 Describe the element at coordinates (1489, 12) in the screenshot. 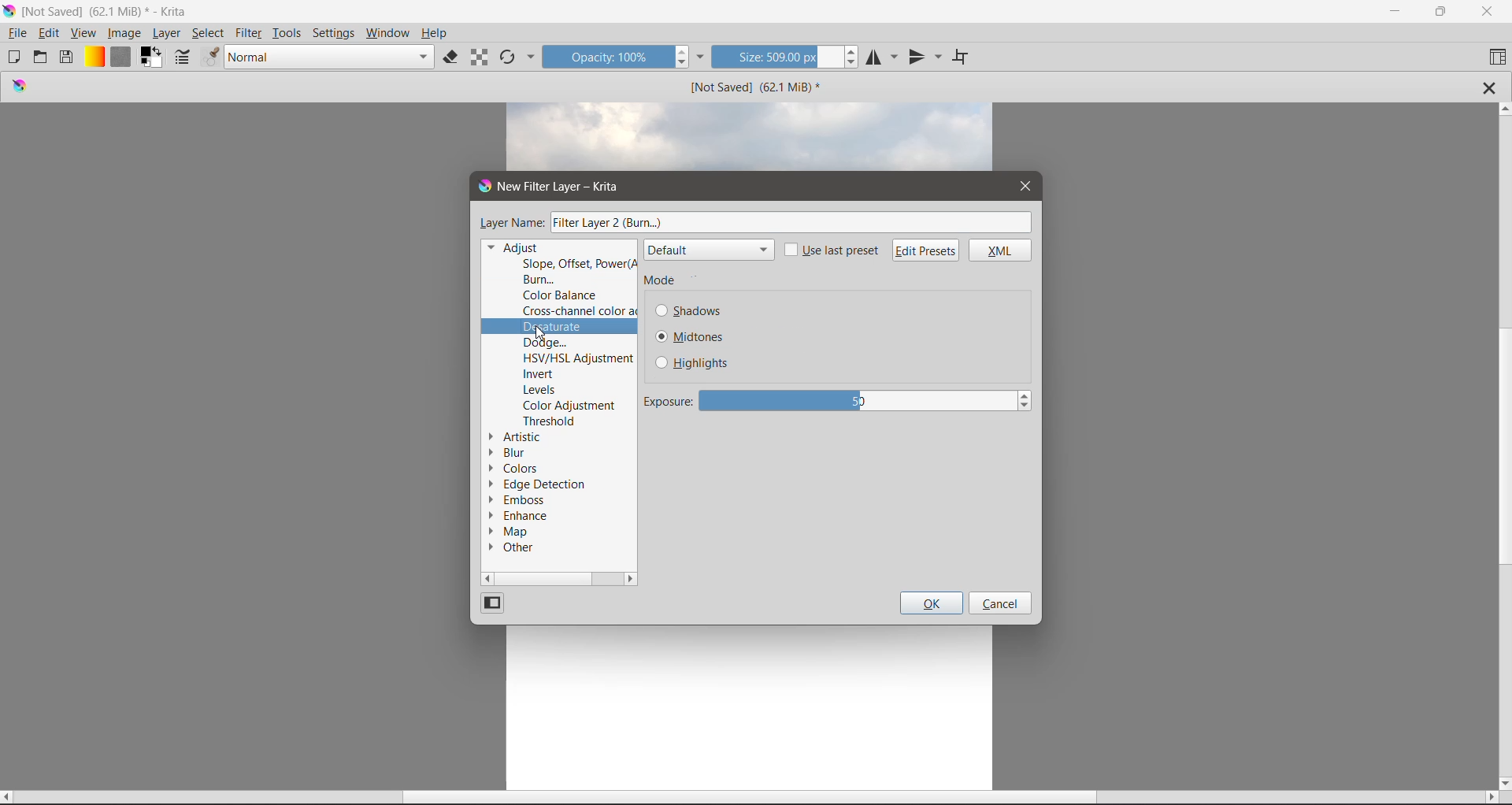

I see `Close` at that location.